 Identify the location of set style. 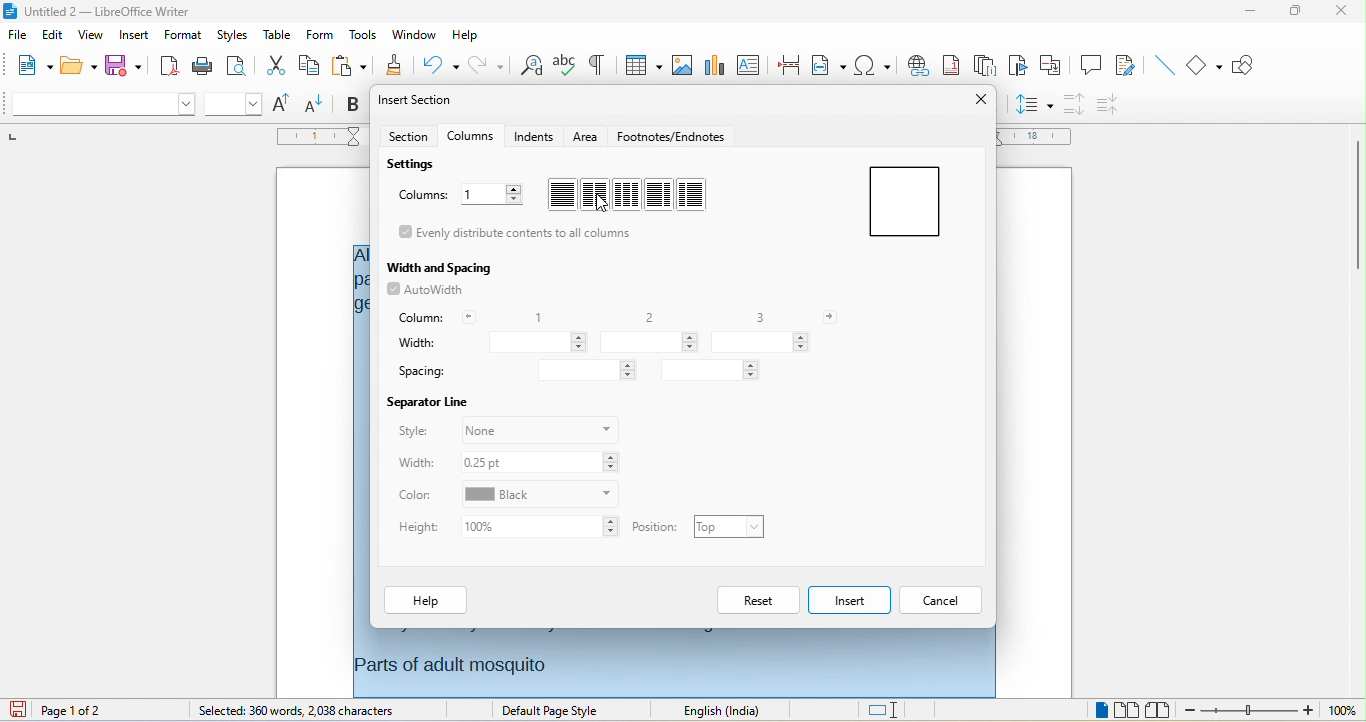
(540, 428).